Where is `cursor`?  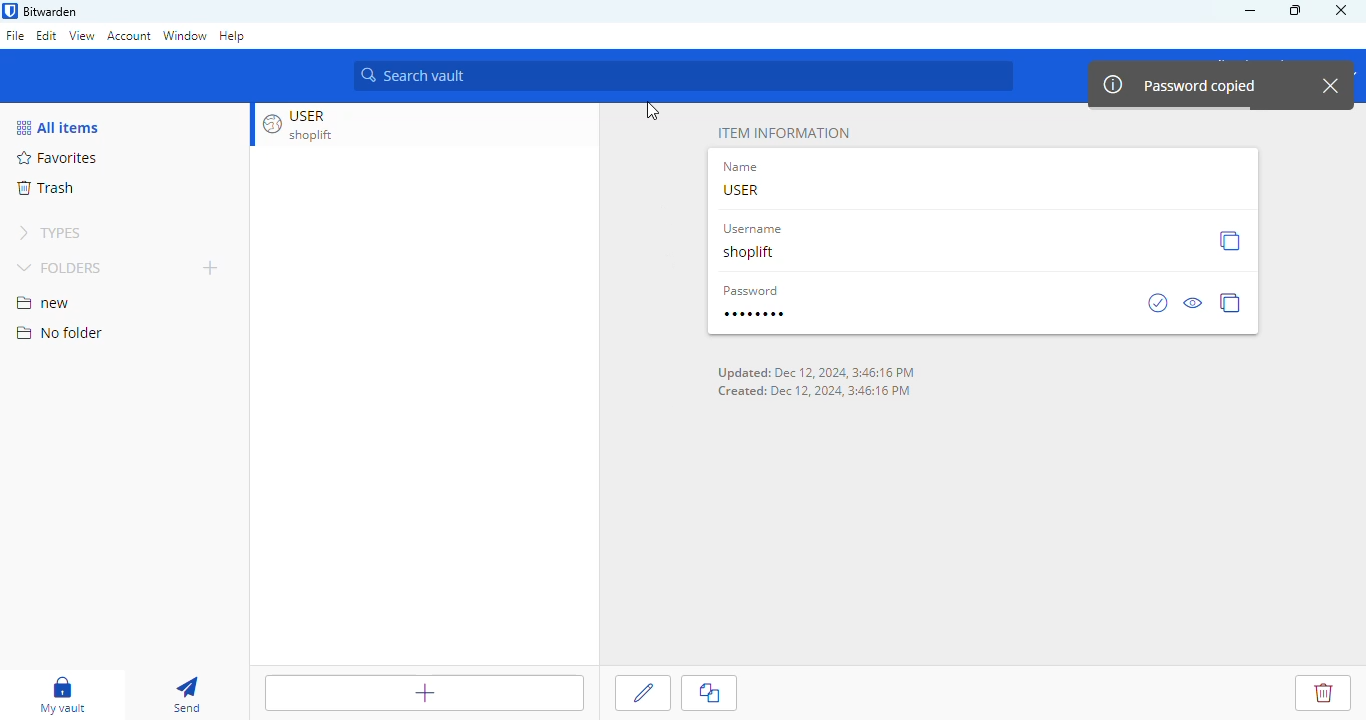 cursor is located at coordinates (652, 112).